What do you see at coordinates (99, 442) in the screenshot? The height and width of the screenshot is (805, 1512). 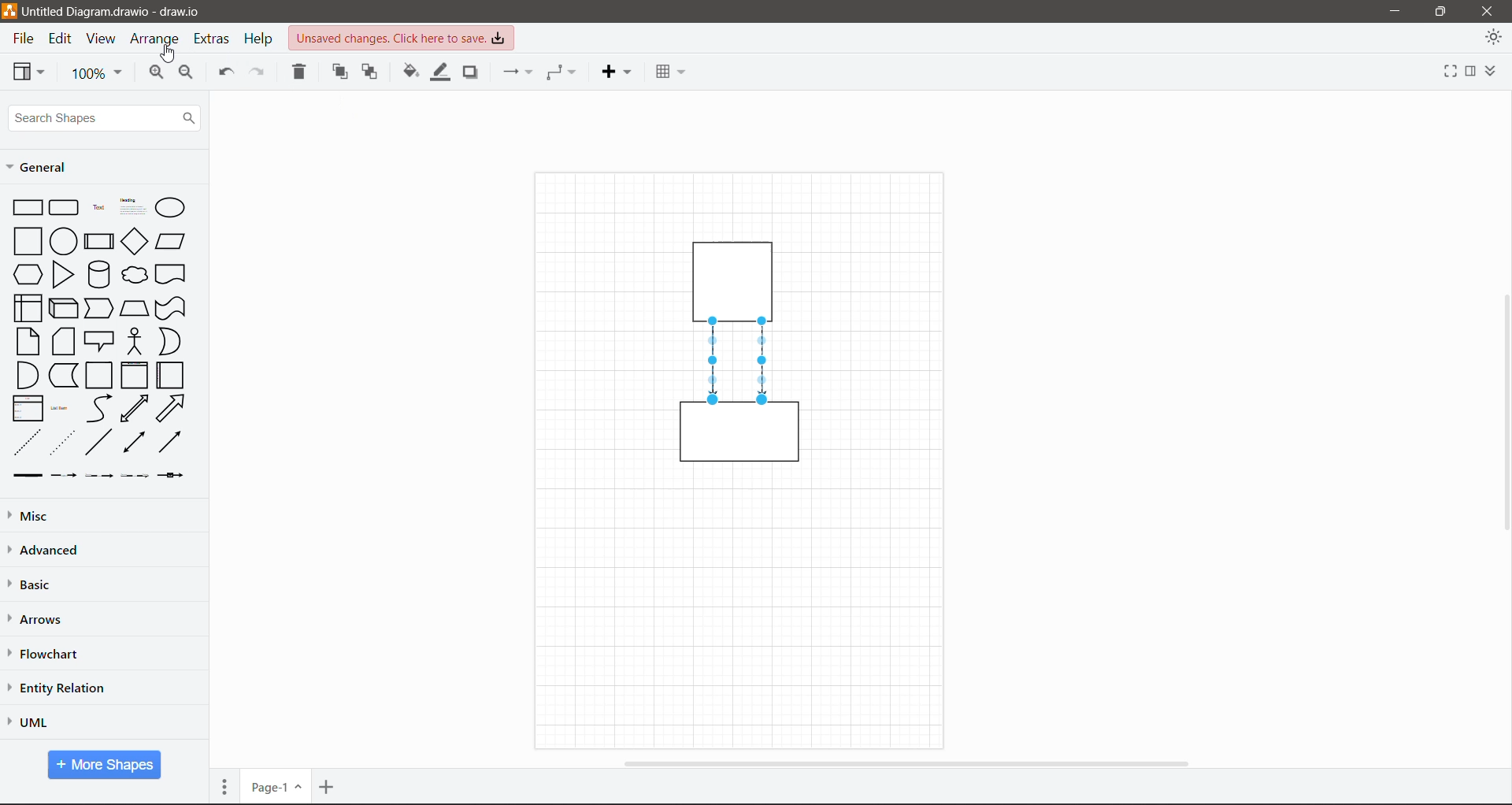 I see `line` at bounding box center [99, 442].